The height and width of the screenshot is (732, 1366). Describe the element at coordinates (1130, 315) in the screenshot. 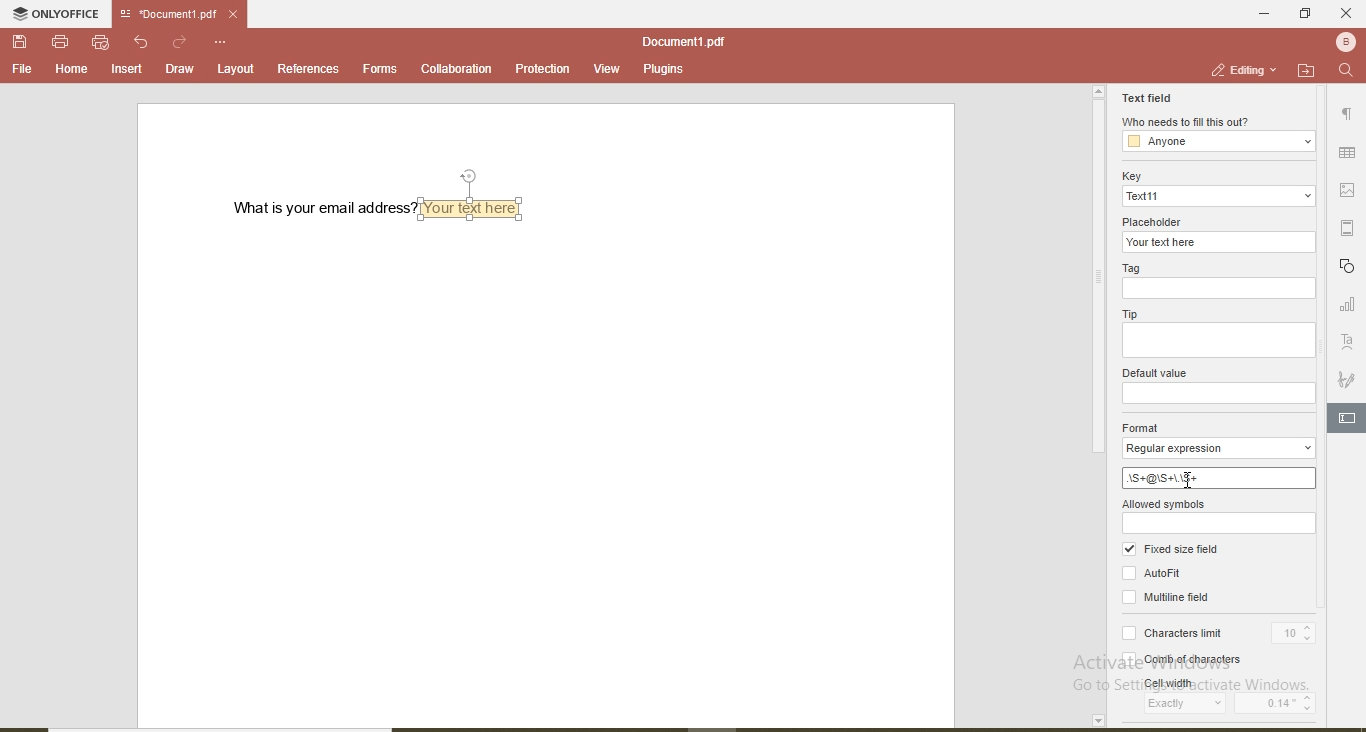

I see `tip` at that location.